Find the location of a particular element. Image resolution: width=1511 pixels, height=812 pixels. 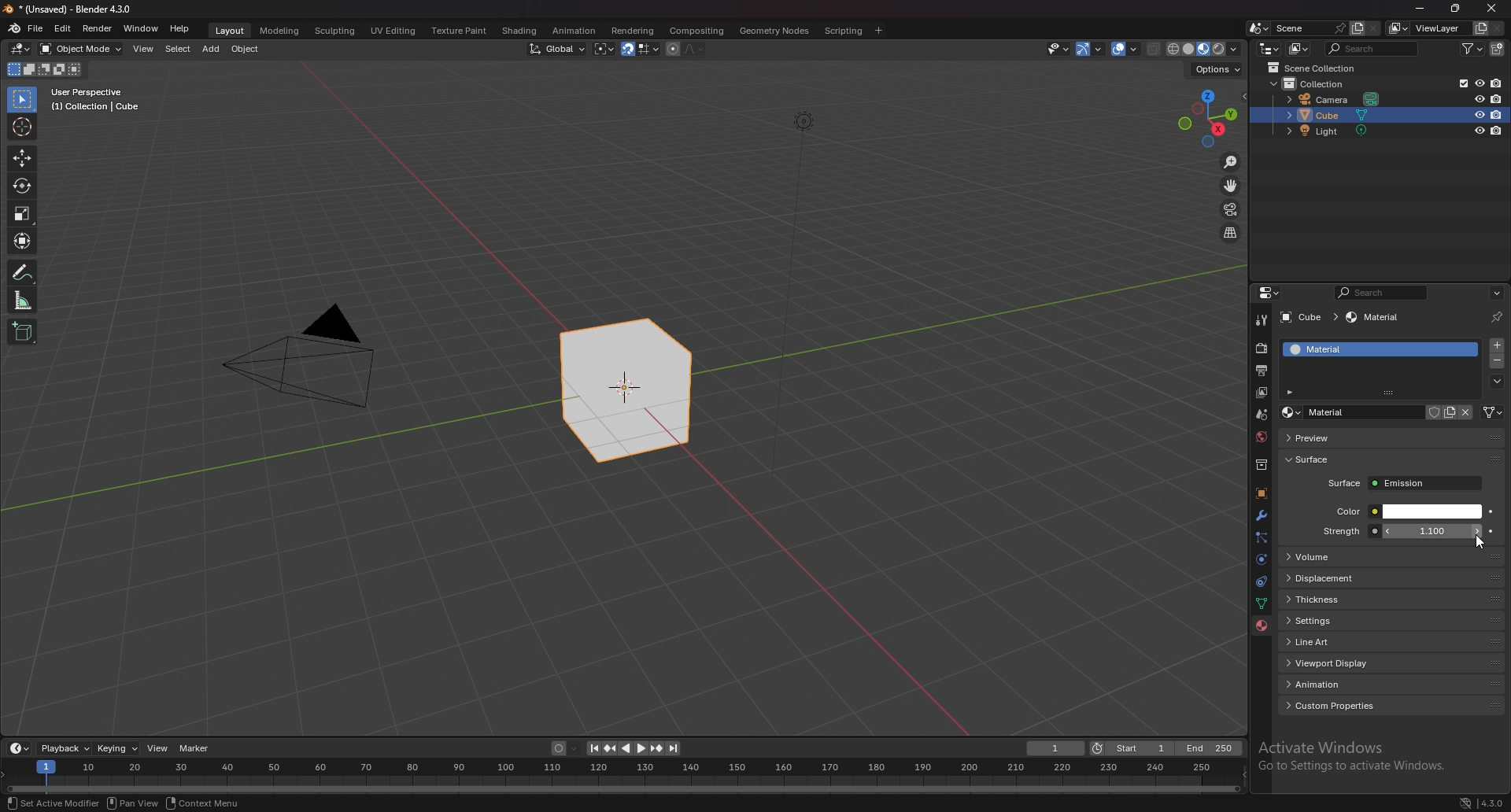

uv editing is located at coordinates (392, 30).